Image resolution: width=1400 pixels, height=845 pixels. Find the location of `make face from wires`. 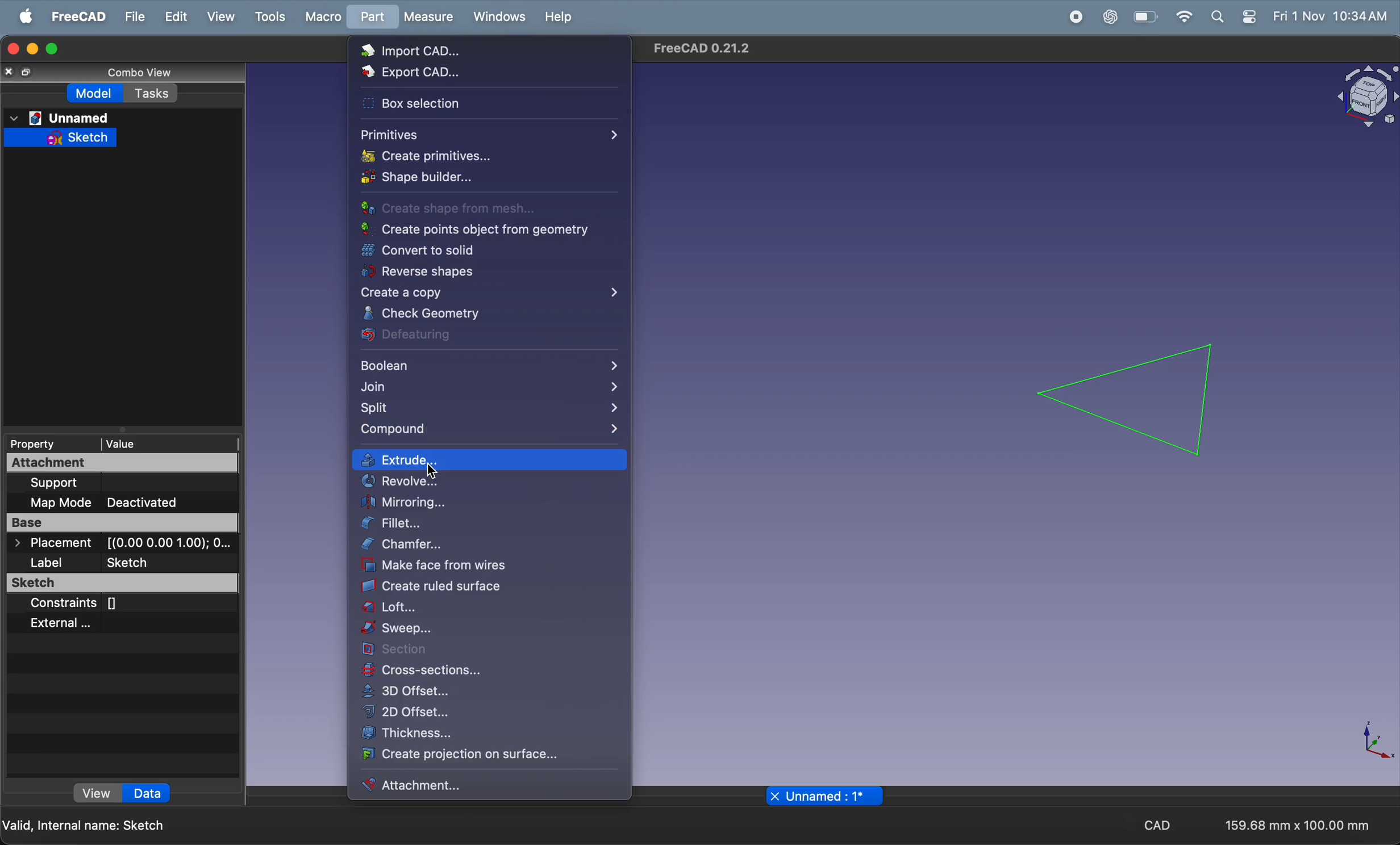

make face from wires is located at coordinates (479, 567).